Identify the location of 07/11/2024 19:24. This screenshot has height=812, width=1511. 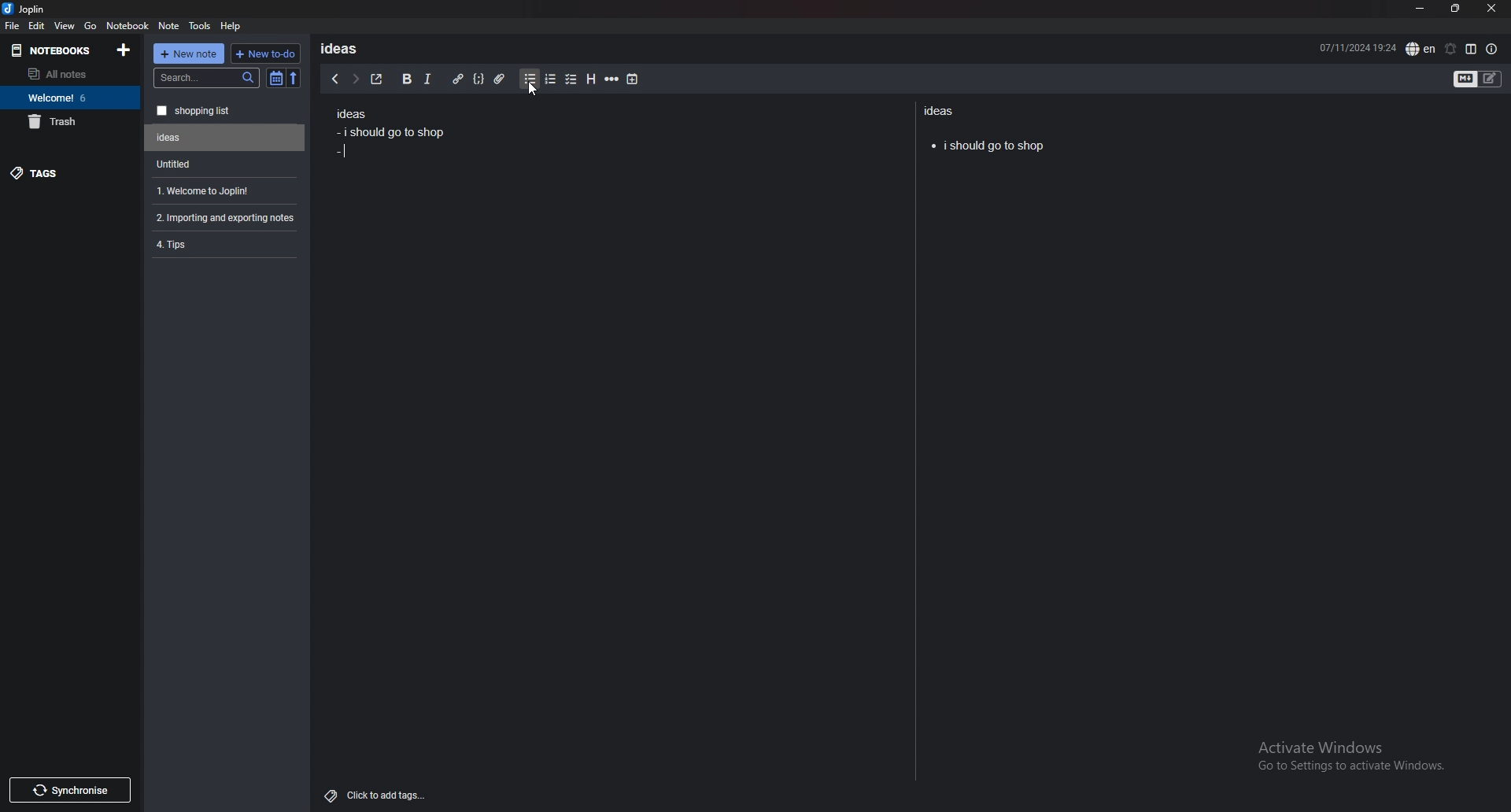
(1358, 46).